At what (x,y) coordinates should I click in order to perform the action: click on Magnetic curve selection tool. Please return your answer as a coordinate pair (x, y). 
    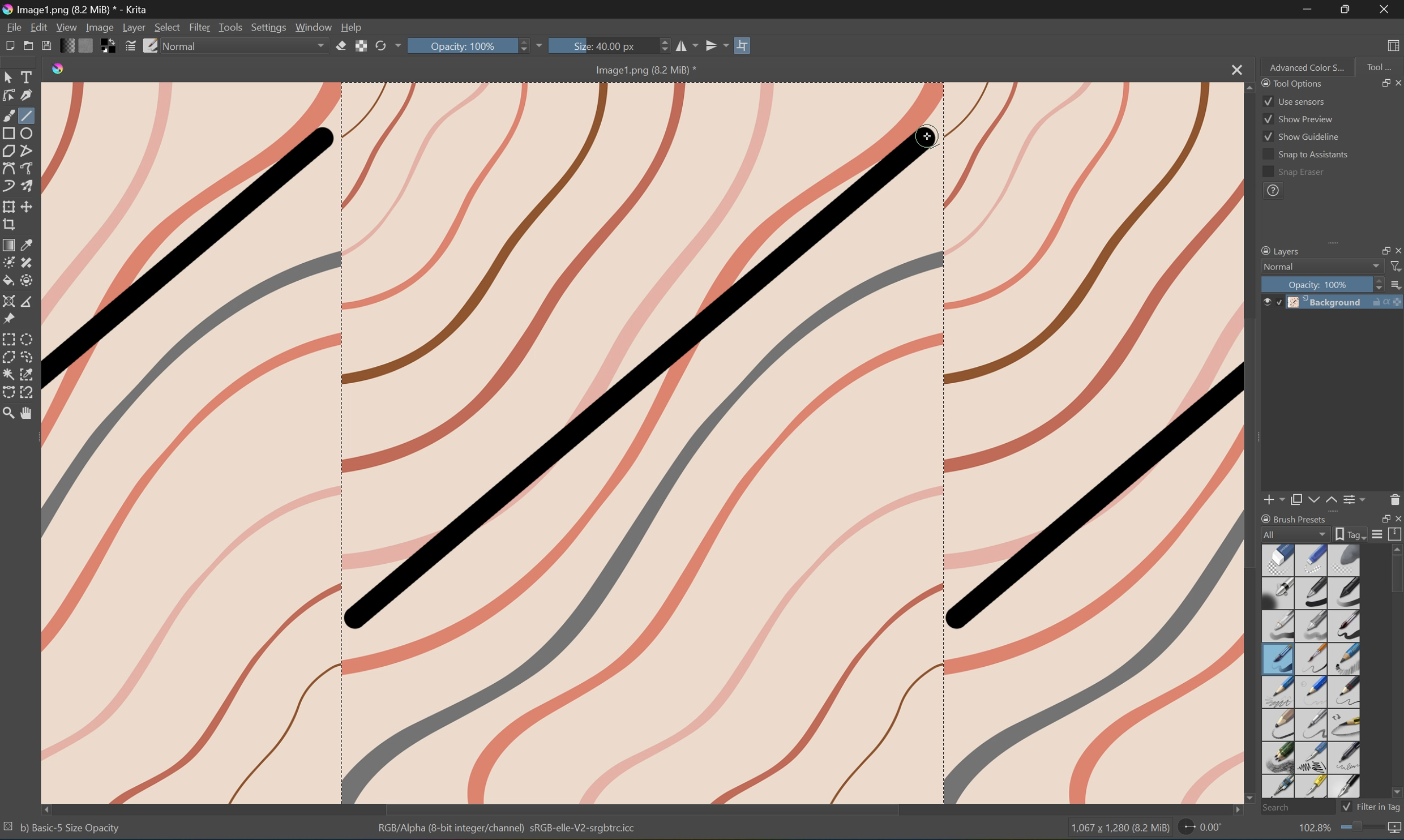
    Looking at the image, I should click on (29, 392).